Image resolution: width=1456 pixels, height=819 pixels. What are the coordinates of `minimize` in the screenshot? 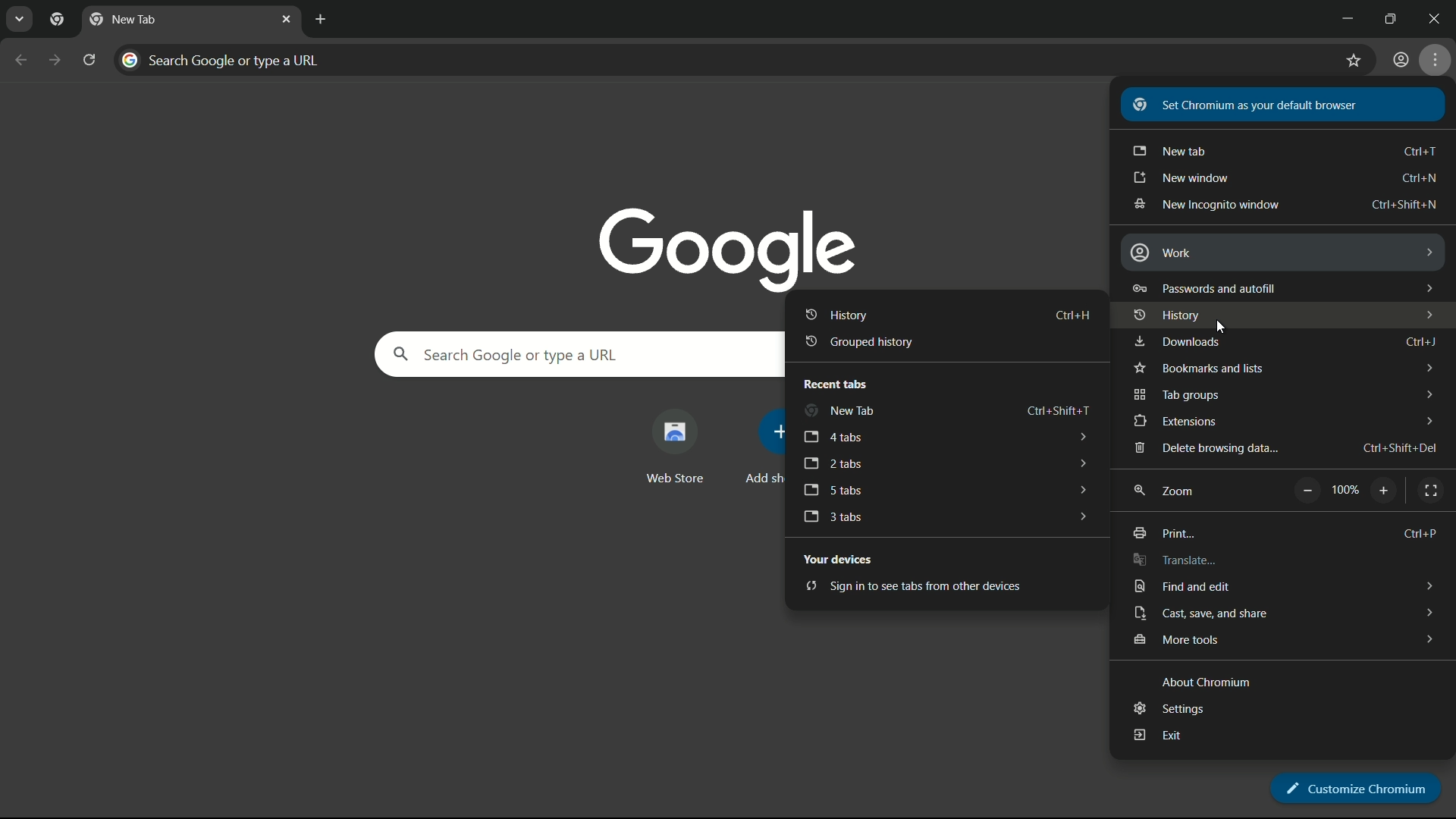 It's located at (1348, 17).